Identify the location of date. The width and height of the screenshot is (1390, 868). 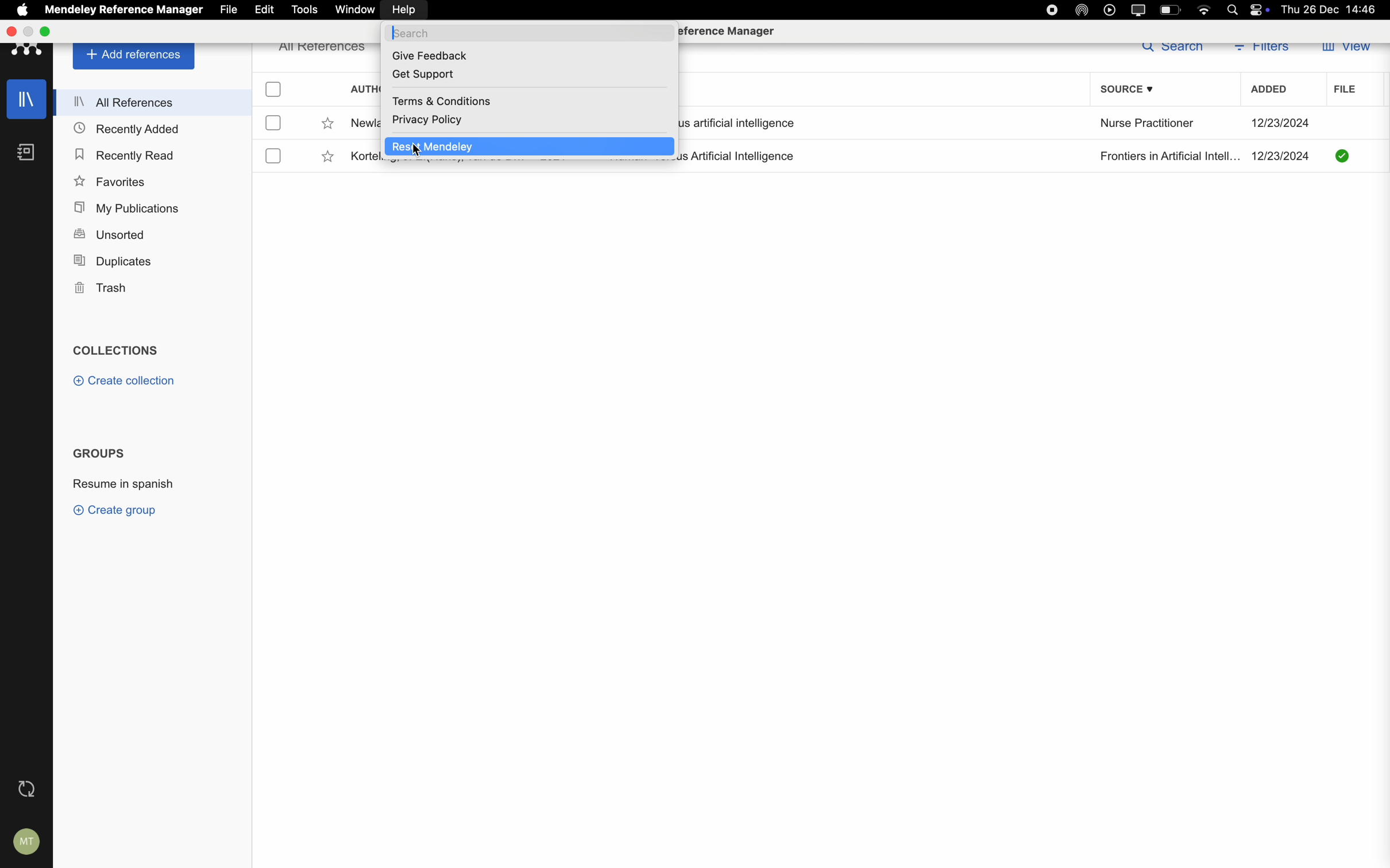
(1285, 158).